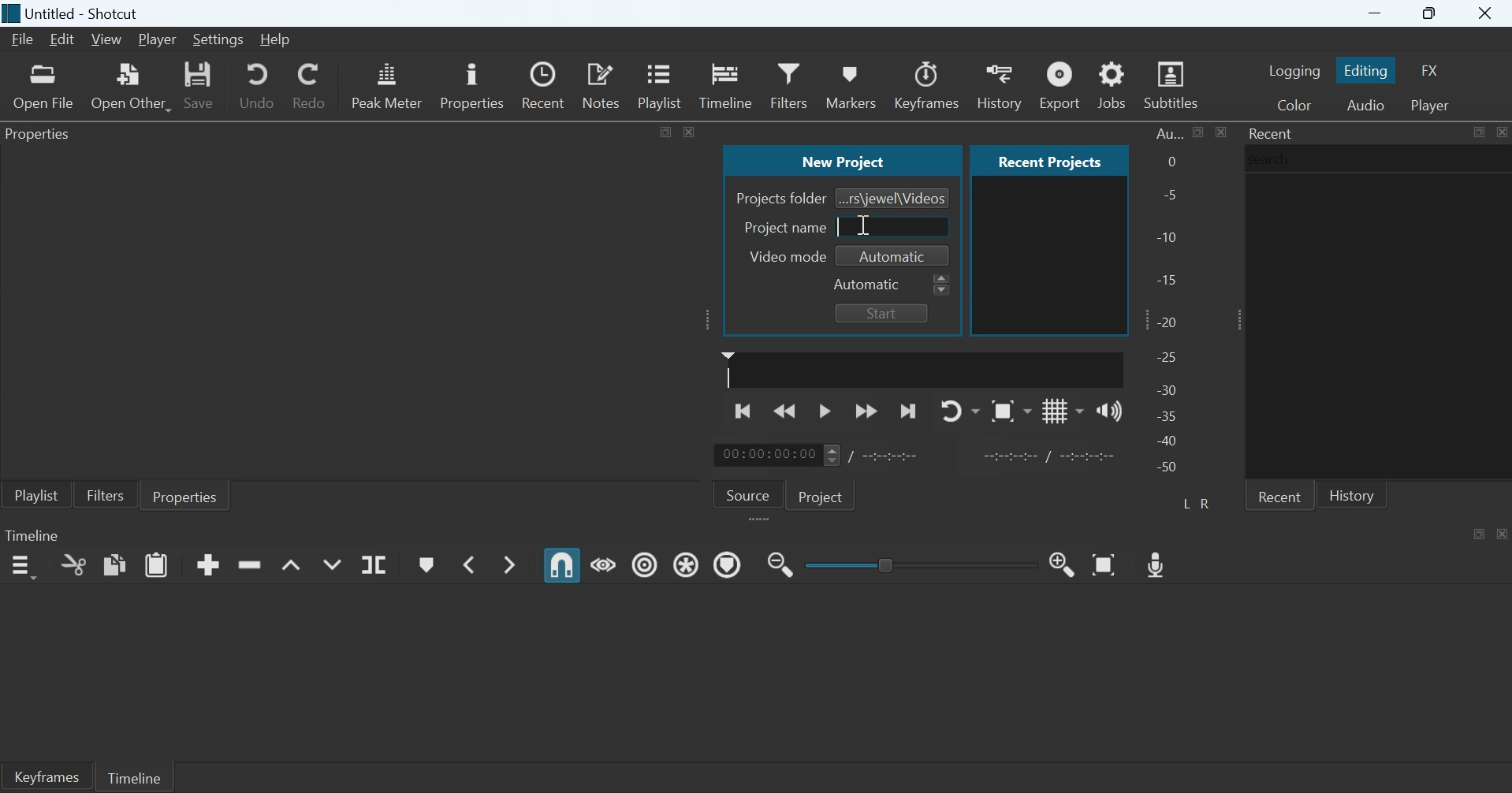 This screenshot has width=1512, height=793. I want to click on Player, so click(158, 40).